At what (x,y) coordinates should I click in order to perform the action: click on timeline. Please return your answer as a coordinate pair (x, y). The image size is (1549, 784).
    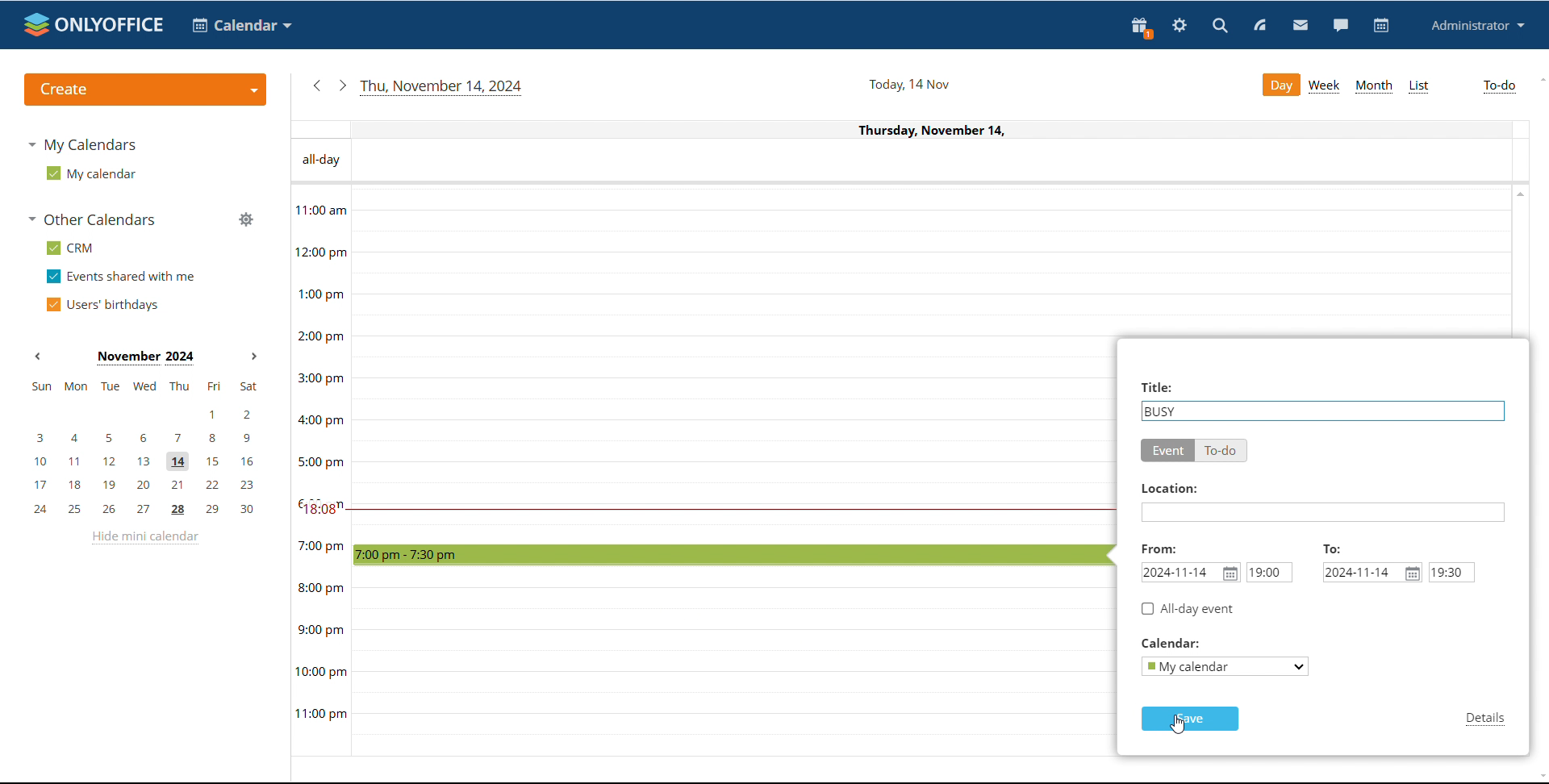
    Looking at the image, I should click on (322, 470).